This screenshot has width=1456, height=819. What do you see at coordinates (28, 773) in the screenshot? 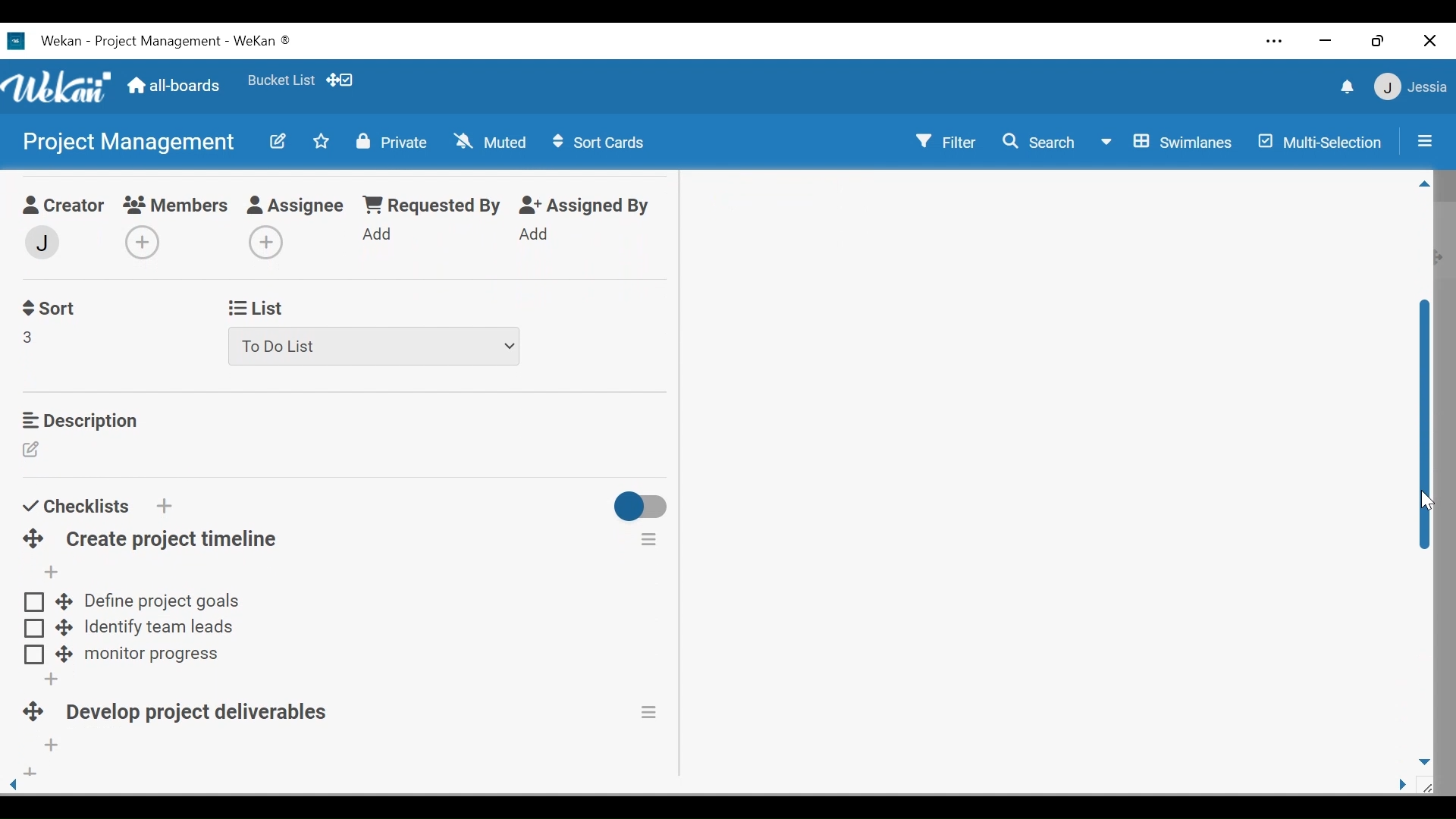
I see `add` at bounding box center [28, 773].